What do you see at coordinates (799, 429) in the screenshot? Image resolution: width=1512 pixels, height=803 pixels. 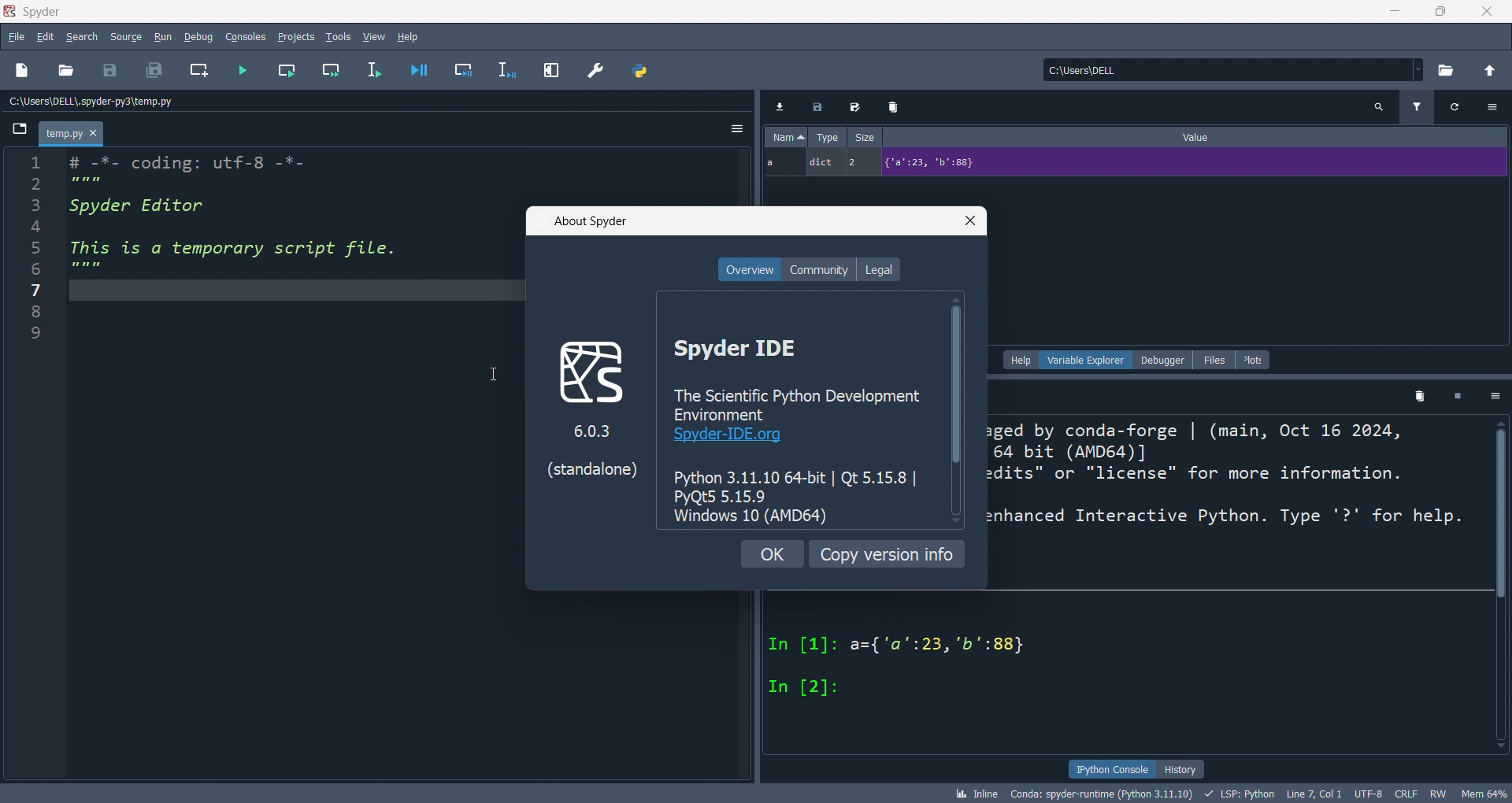 I see `Spyder IDE

The Scientific Python Development
Environment

Spyder-IDE.org

Python 3.11.10 64-bit | Qt 5.15.8 |
PyQt5 5.15.9

Windows 10 (AMD64)` at bounding box center [799, 429].